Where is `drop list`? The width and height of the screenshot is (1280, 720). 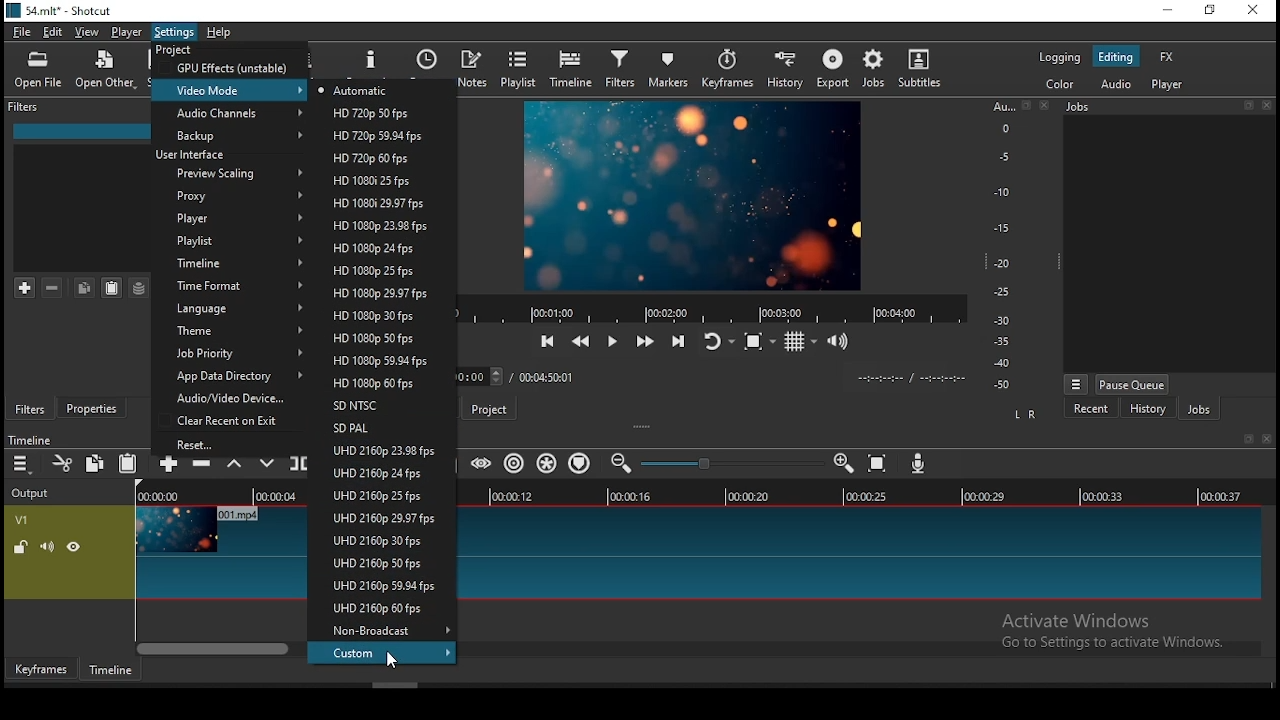 drop list is located at coordinates (481, 377).